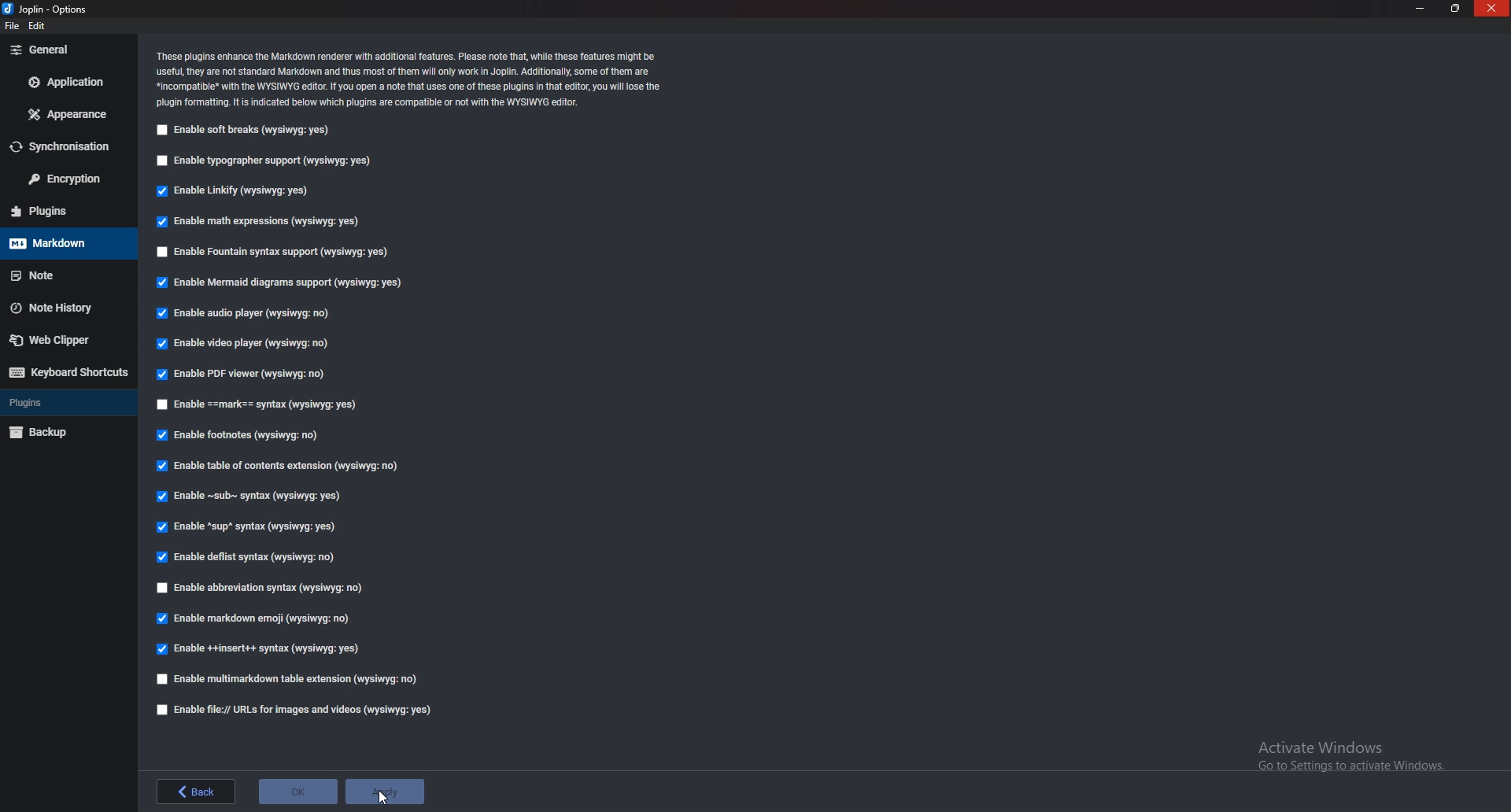 The width and height of the screenshot is (1511, 812). I want to click on resize, so click(1455, 8).